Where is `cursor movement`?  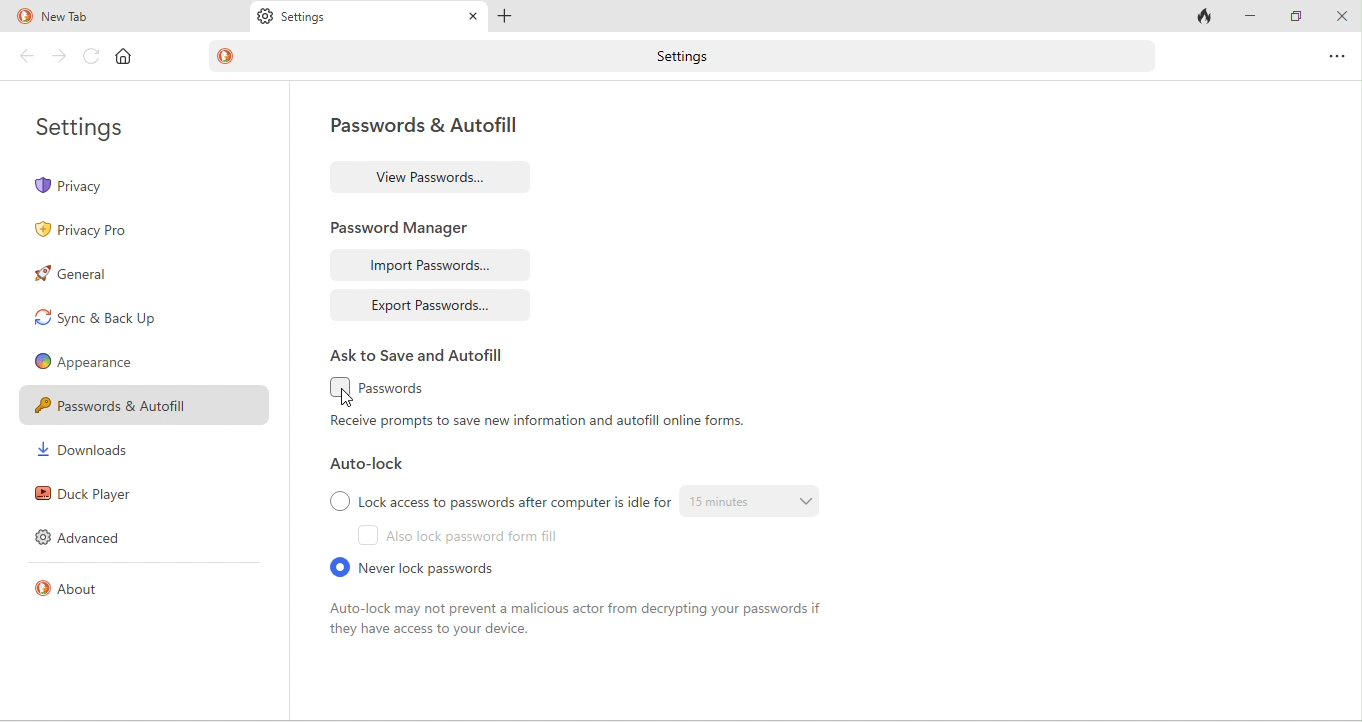
cursor movement is located at coordinates (349, 399).